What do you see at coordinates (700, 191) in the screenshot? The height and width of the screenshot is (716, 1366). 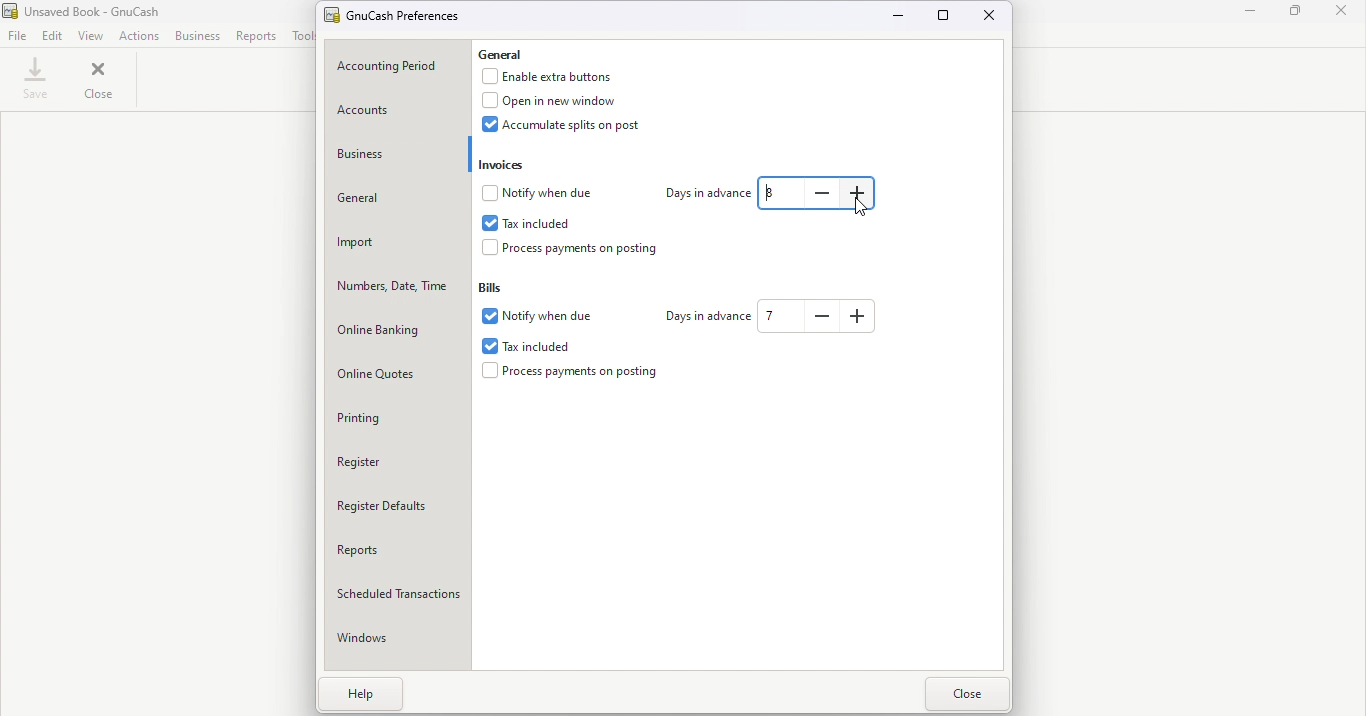 I see `Days in advance` at bounding box center [700, 191].